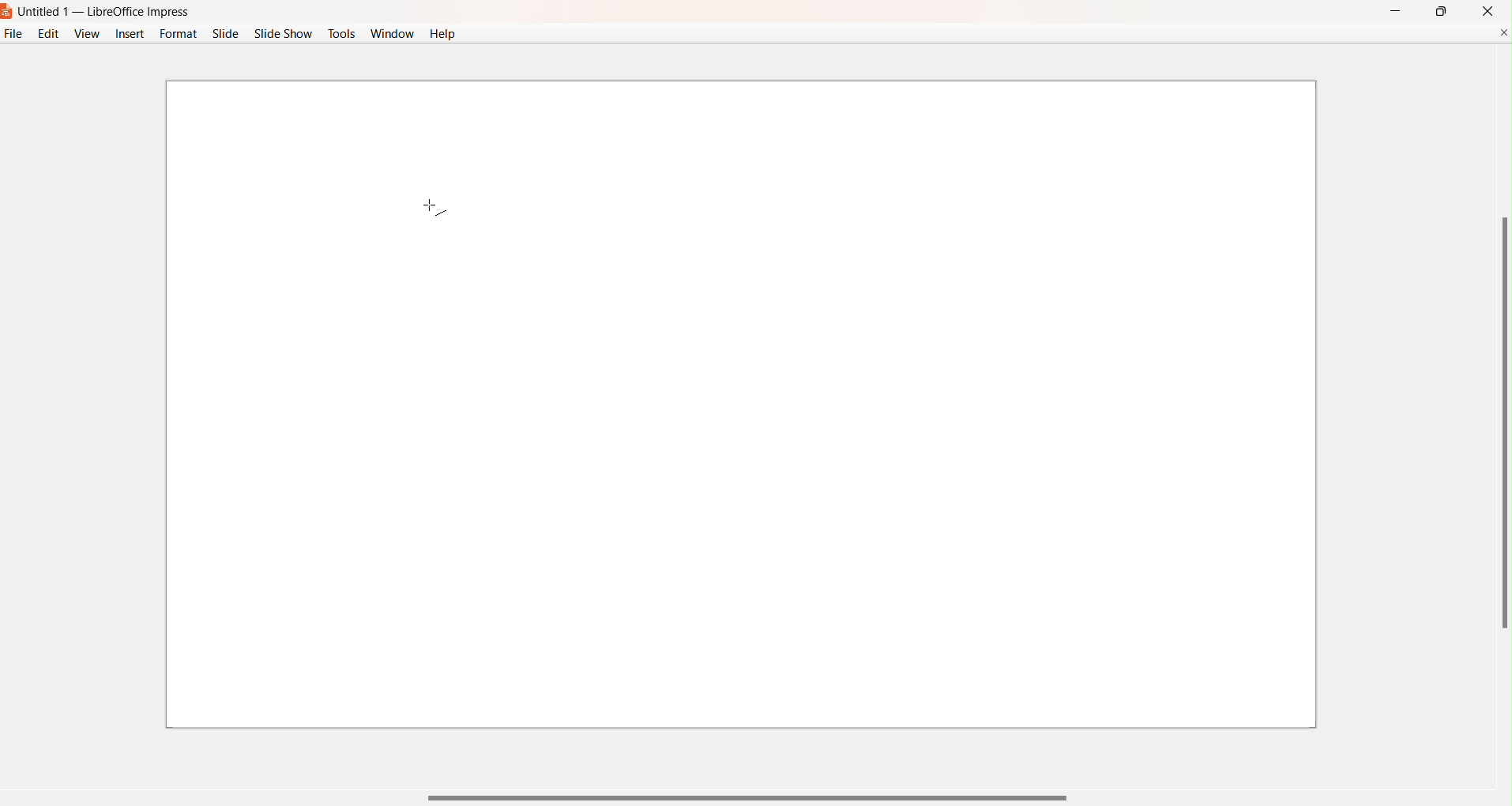 The width and height of the screenshot is (1512, 806). Describe the element at coordinates (1394, 9) in the screenshot. I see `Minimize` at that location.